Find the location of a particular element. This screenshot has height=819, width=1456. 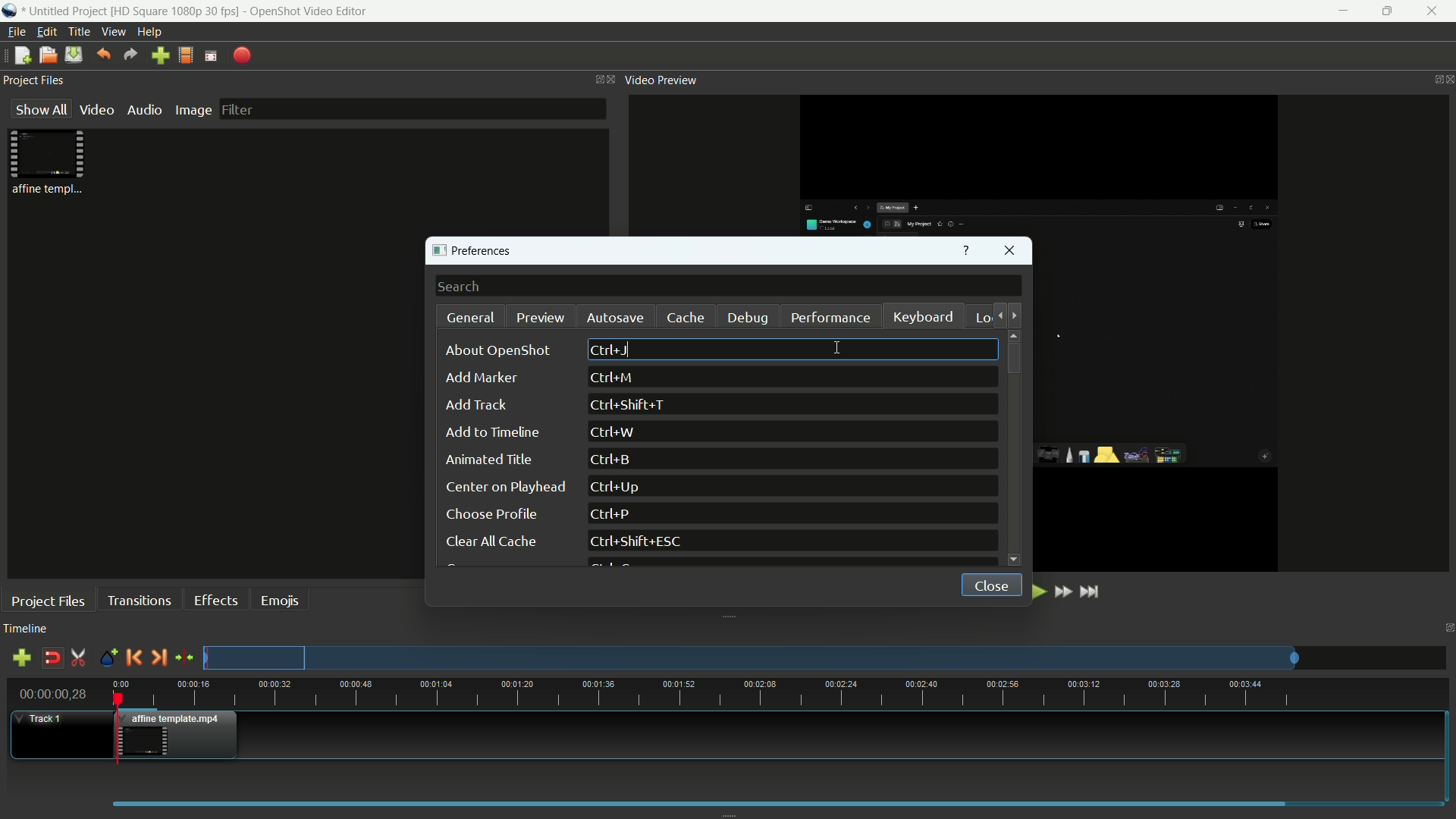

project files is located at coordinates (36, 81).